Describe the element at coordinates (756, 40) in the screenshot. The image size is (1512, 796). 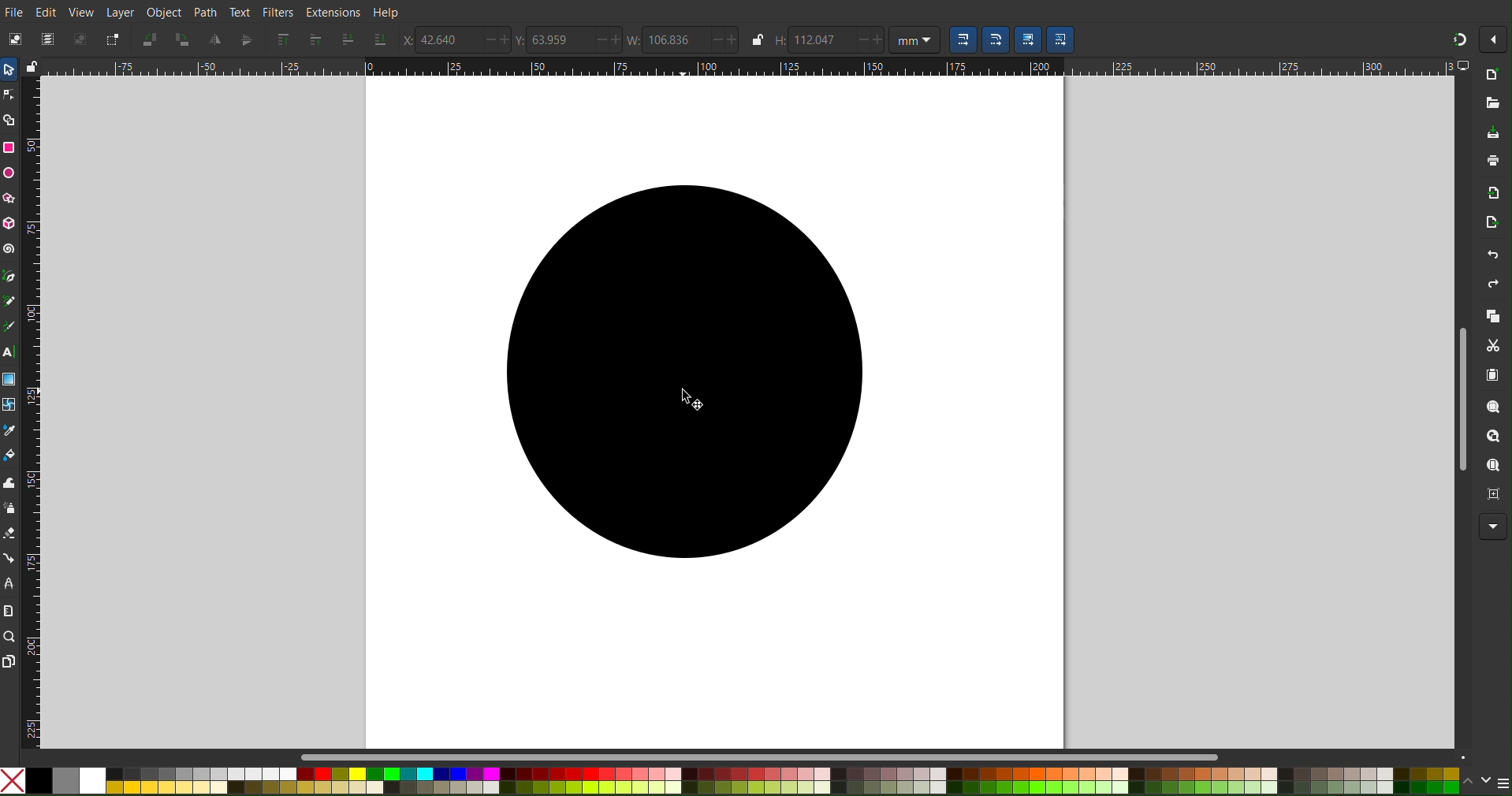
I see `lock` at that location.